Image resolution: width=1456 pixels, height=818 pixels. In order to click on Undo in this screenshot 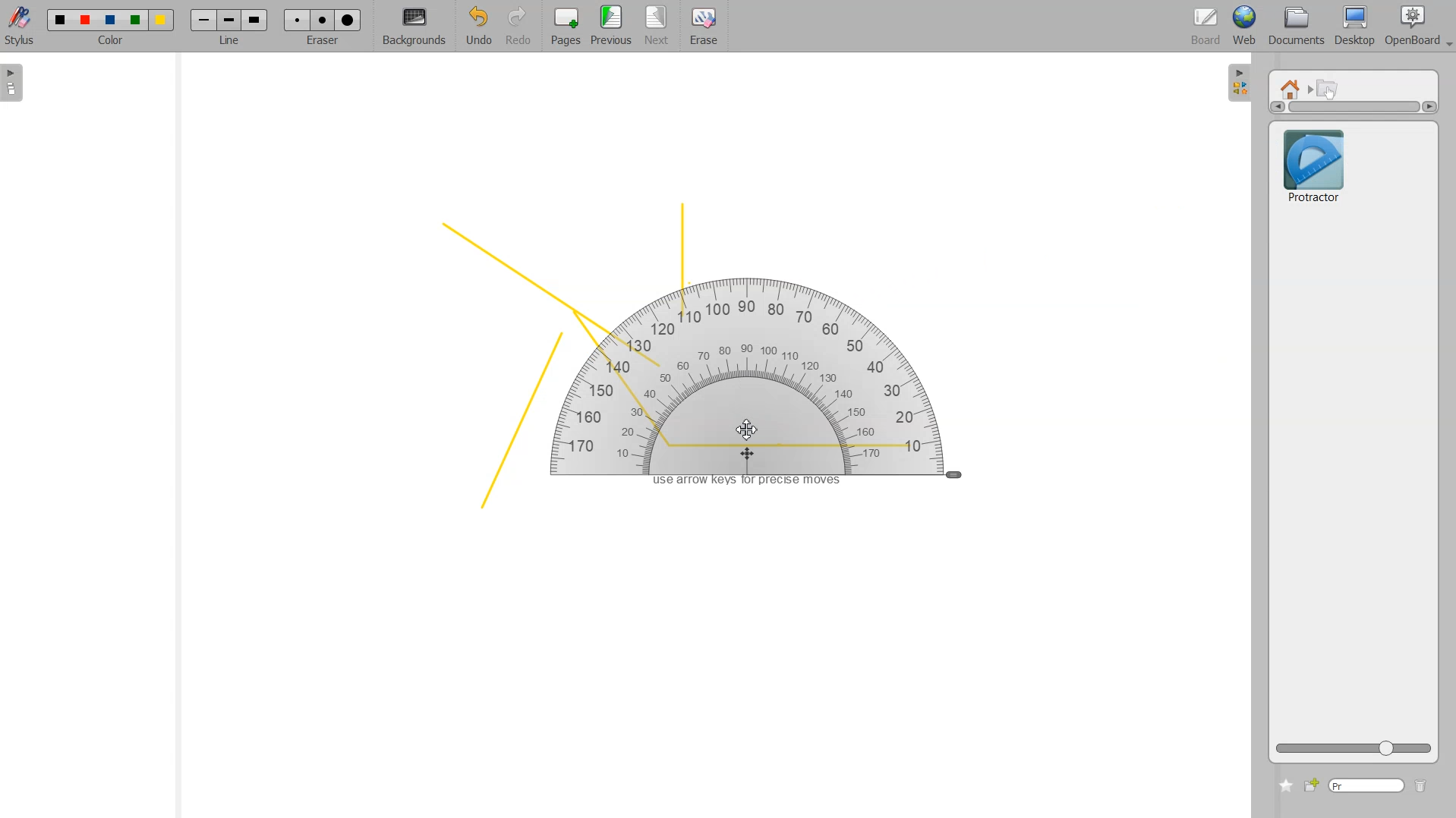, I will do `click(476, 27)`.